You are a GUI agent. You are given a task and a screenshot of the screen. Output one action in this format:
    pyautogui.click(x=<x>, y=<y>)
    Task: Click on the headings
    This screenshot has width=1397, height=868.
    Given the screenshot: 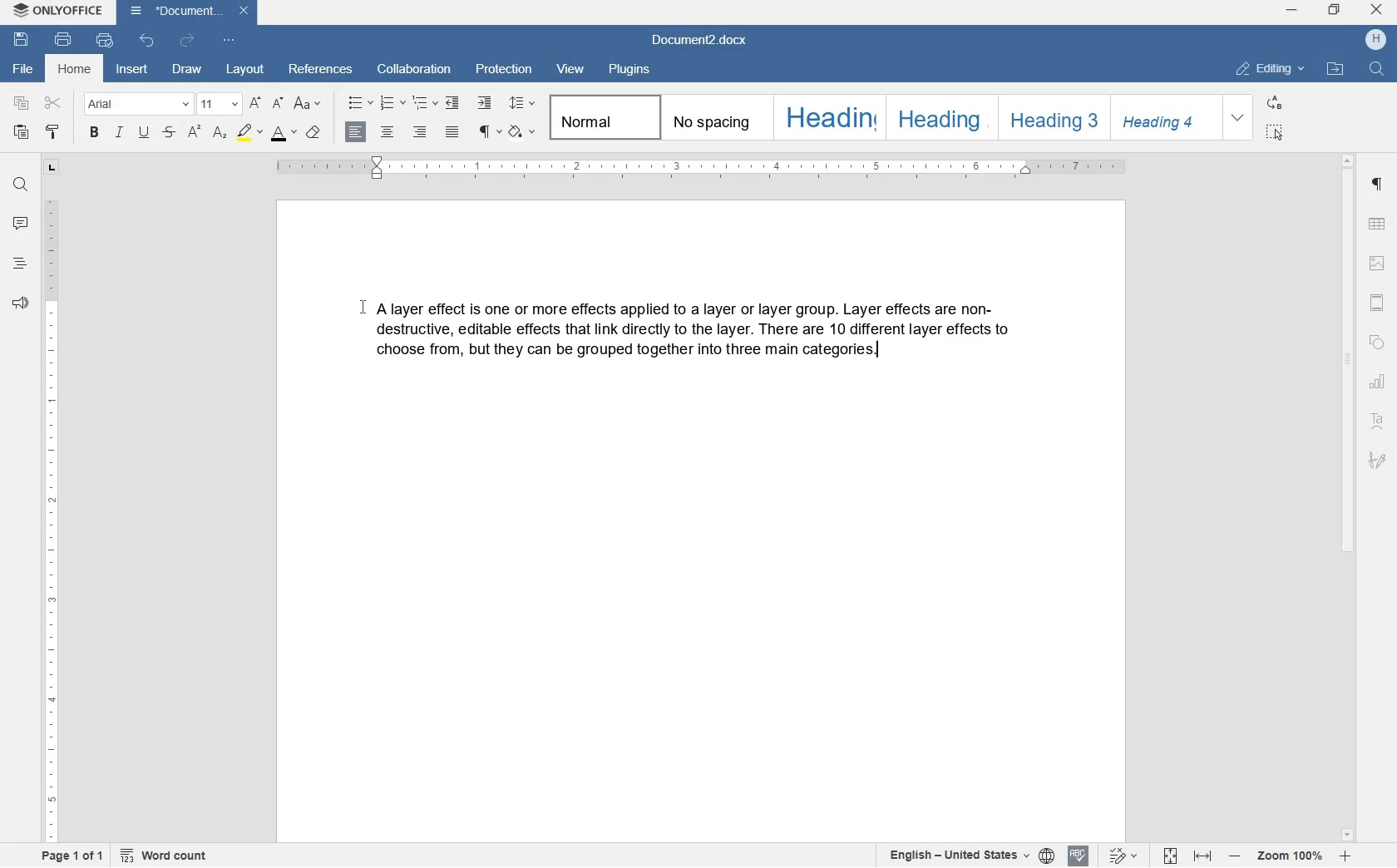 What is the action you would take?
    pyautogui.click(x=20, y=265)
    